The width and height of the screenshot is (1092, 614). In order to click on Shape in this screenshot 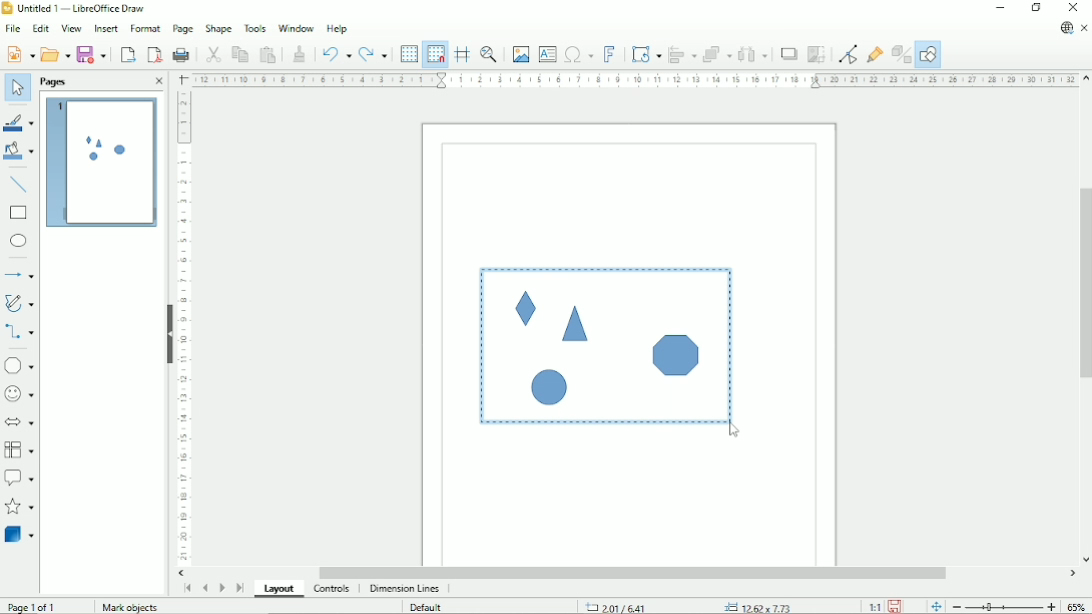, I will do `click(218, 28)`.